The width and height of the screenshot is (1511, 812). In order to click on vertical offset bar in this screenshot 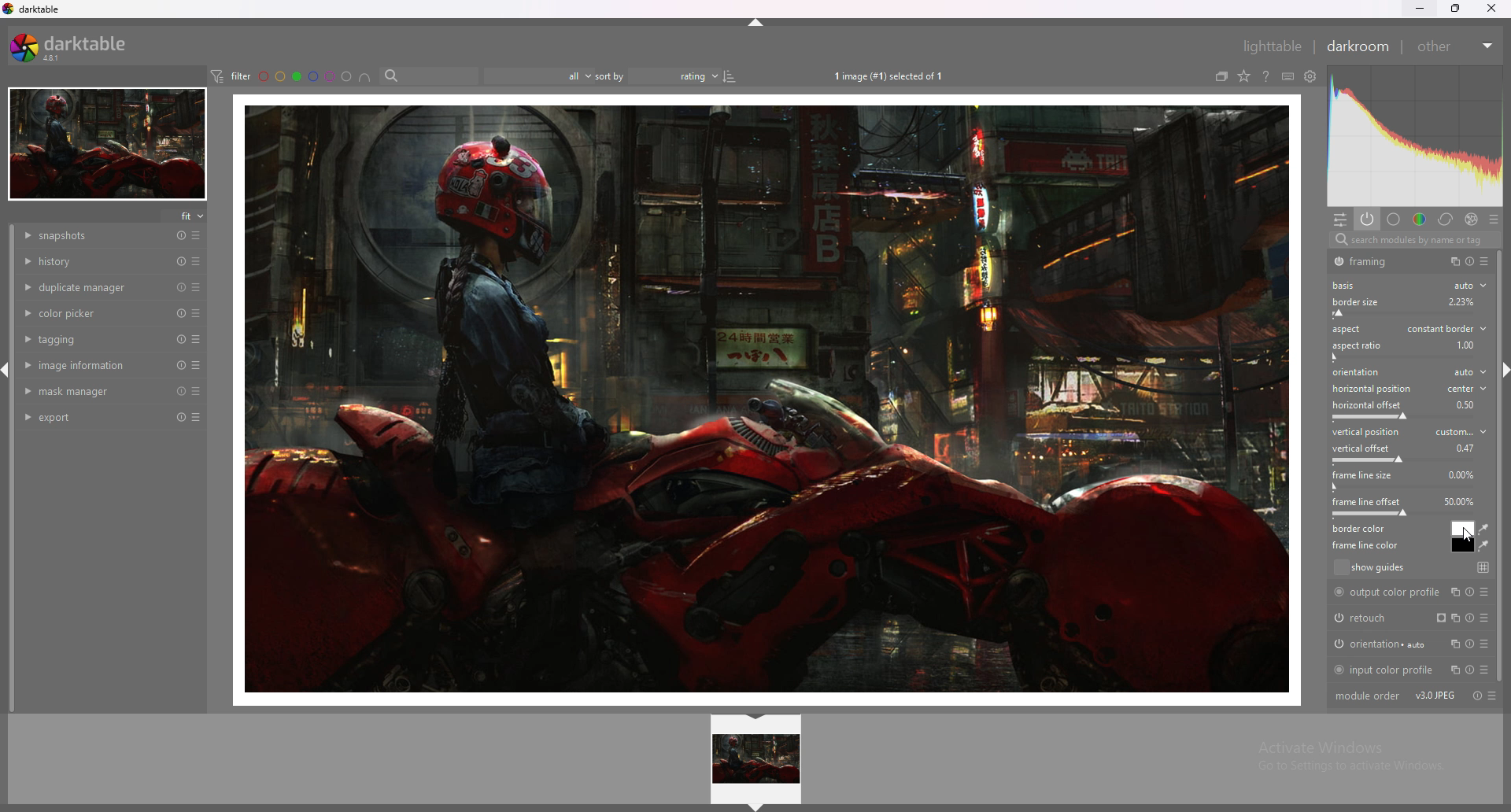, I will do `click(1406, 460)`.